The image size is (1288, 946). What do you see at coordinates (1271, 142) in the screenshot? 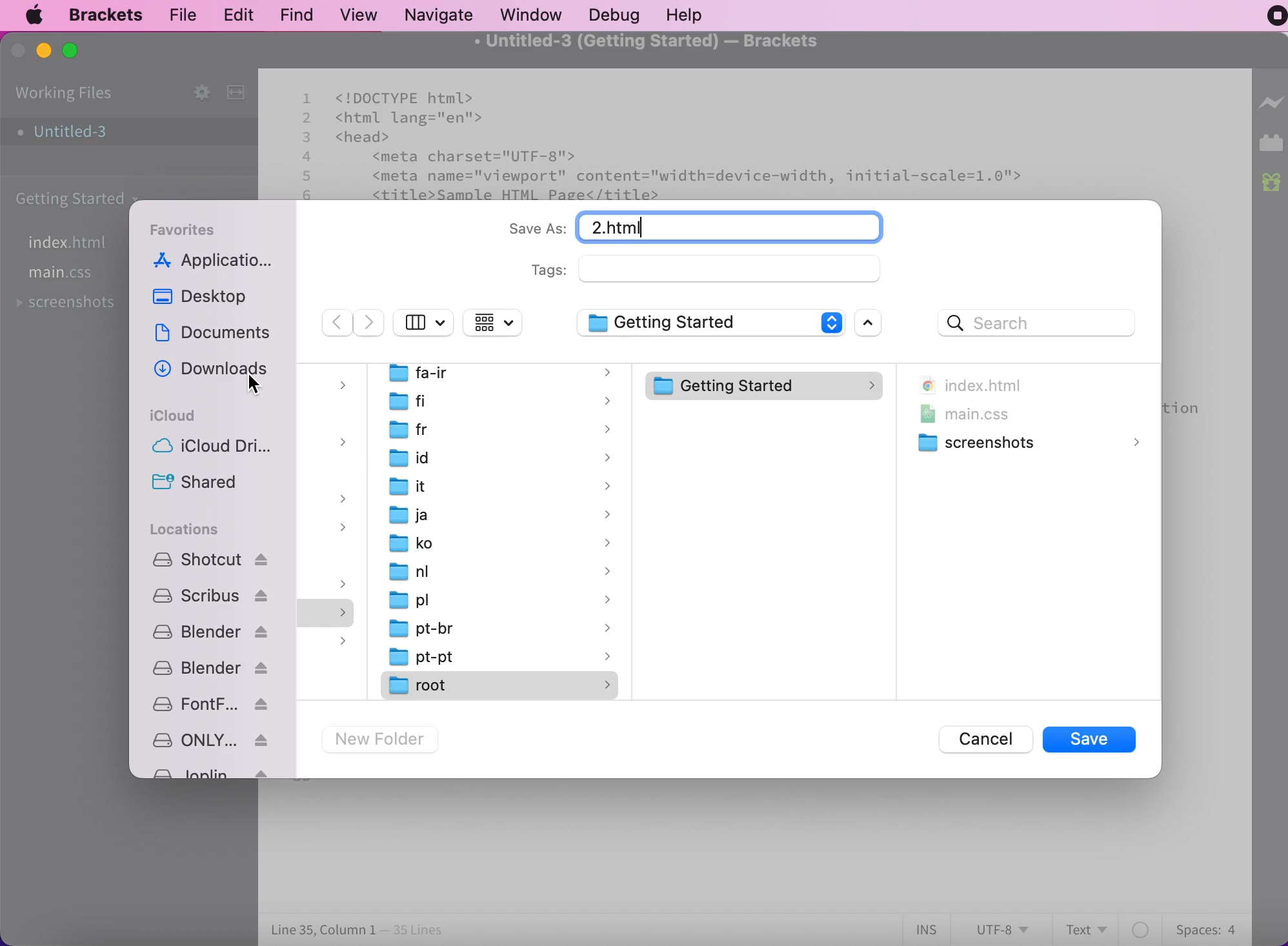
I see `extension manager` at bounding box center [1271, 142].